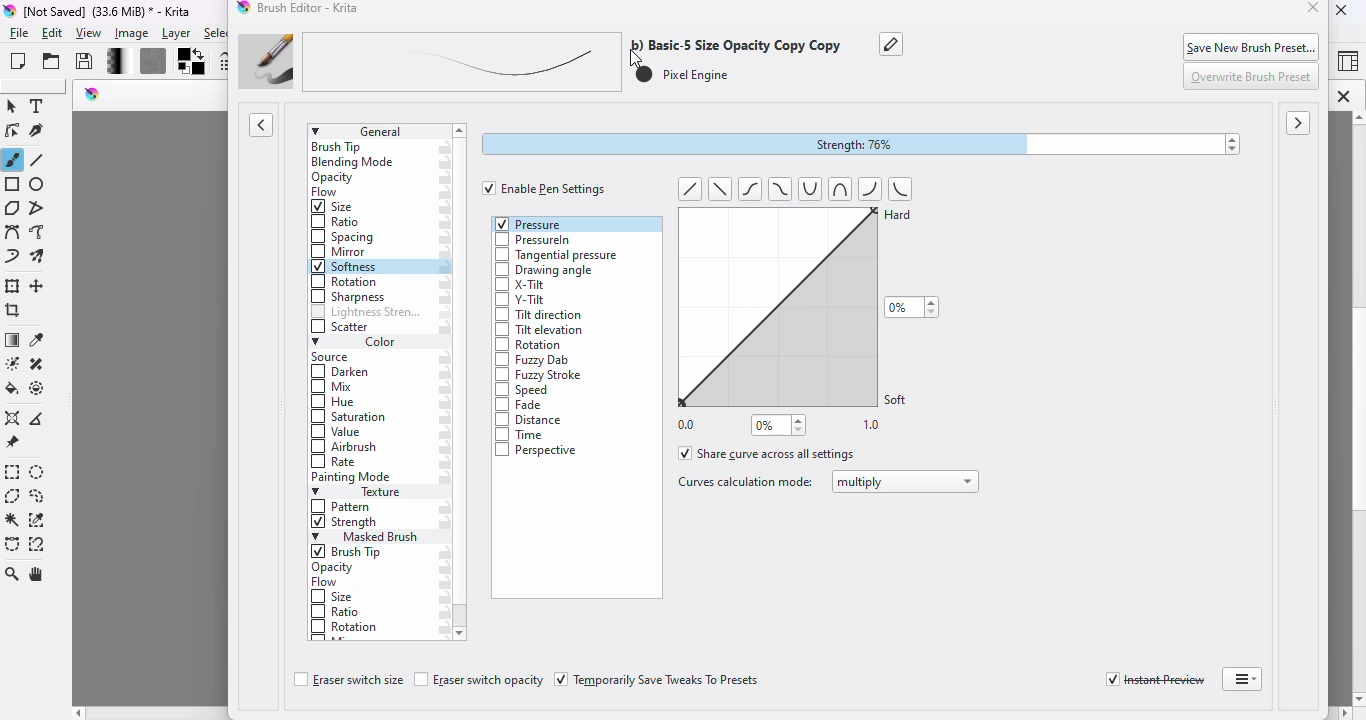 The height and width of the screenshot is (720, 1366). I want to click on polygon tool, so click(12, 207).